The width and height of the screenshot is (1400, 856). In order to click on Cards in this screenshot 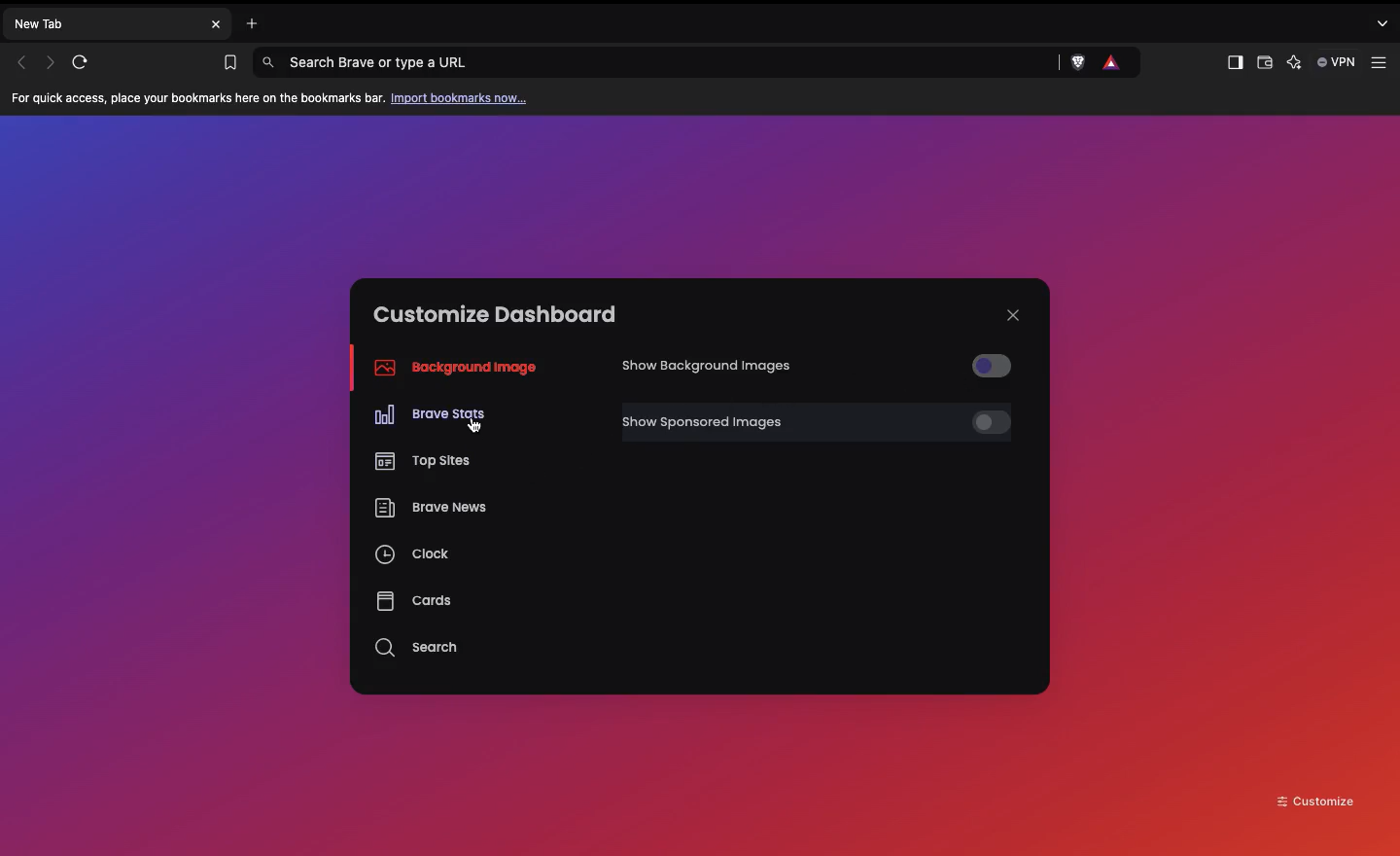, I will do `click(413, 600)`.